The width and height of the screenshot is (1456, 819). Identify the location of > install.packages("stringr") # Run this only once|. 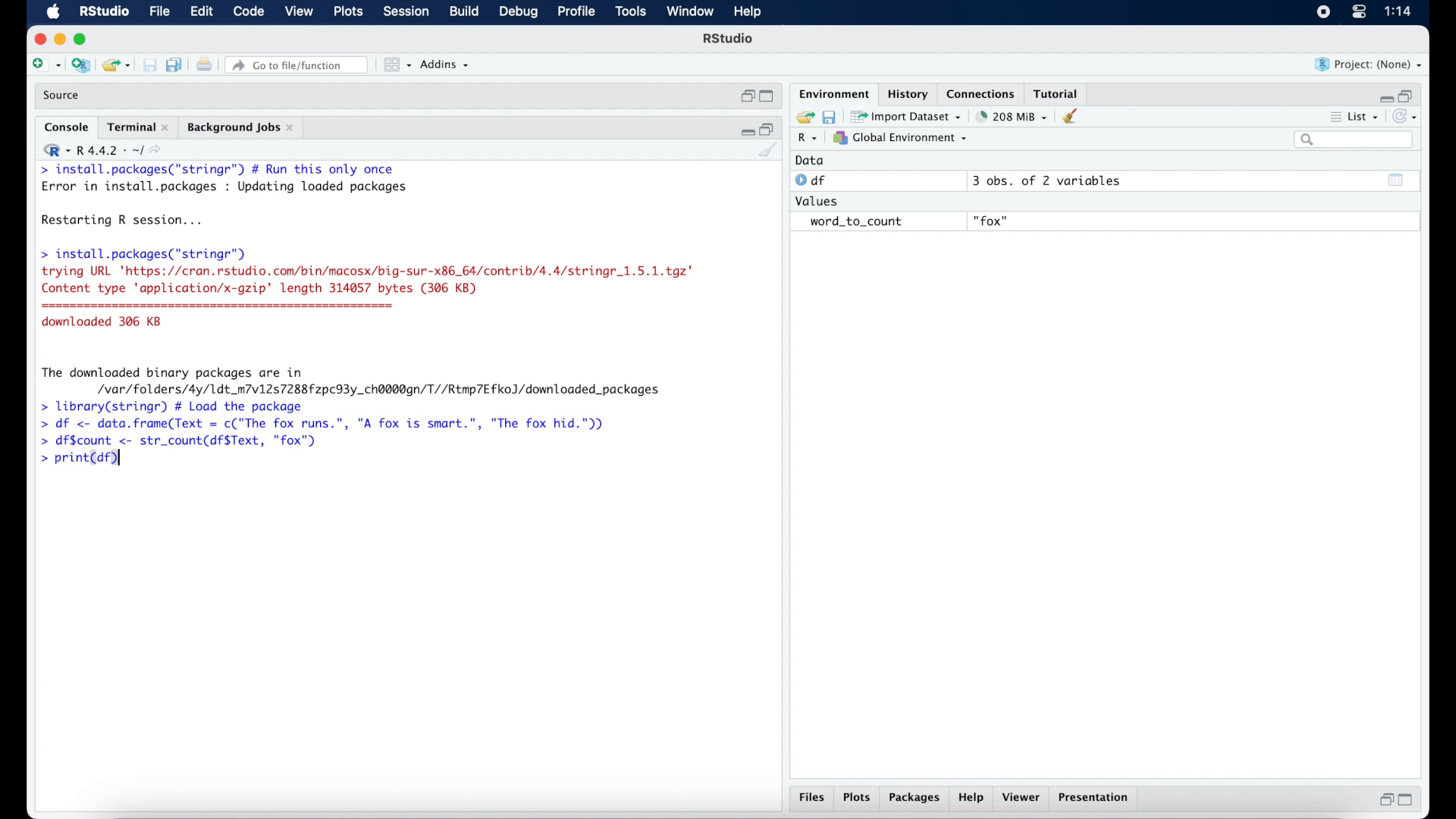
(221, 170).